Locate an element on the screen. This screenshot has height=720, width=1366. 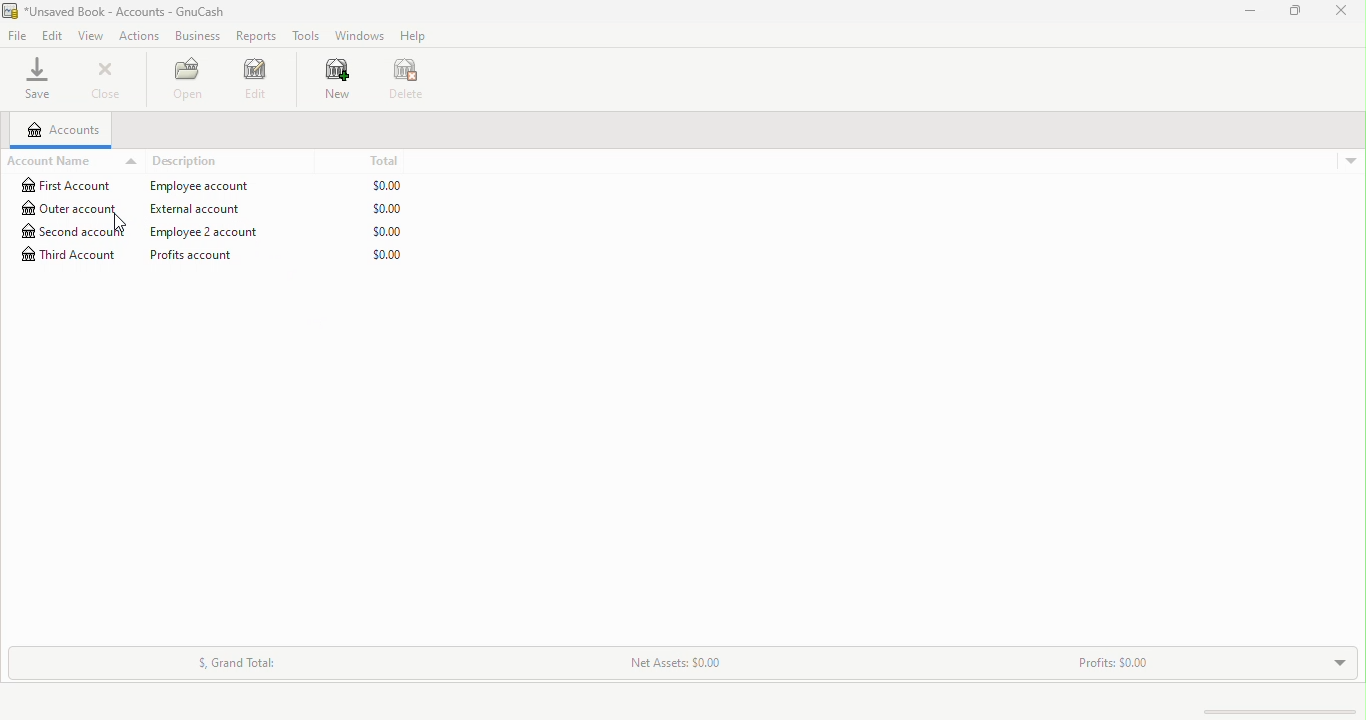
Close is located at coordinates (105, 78).